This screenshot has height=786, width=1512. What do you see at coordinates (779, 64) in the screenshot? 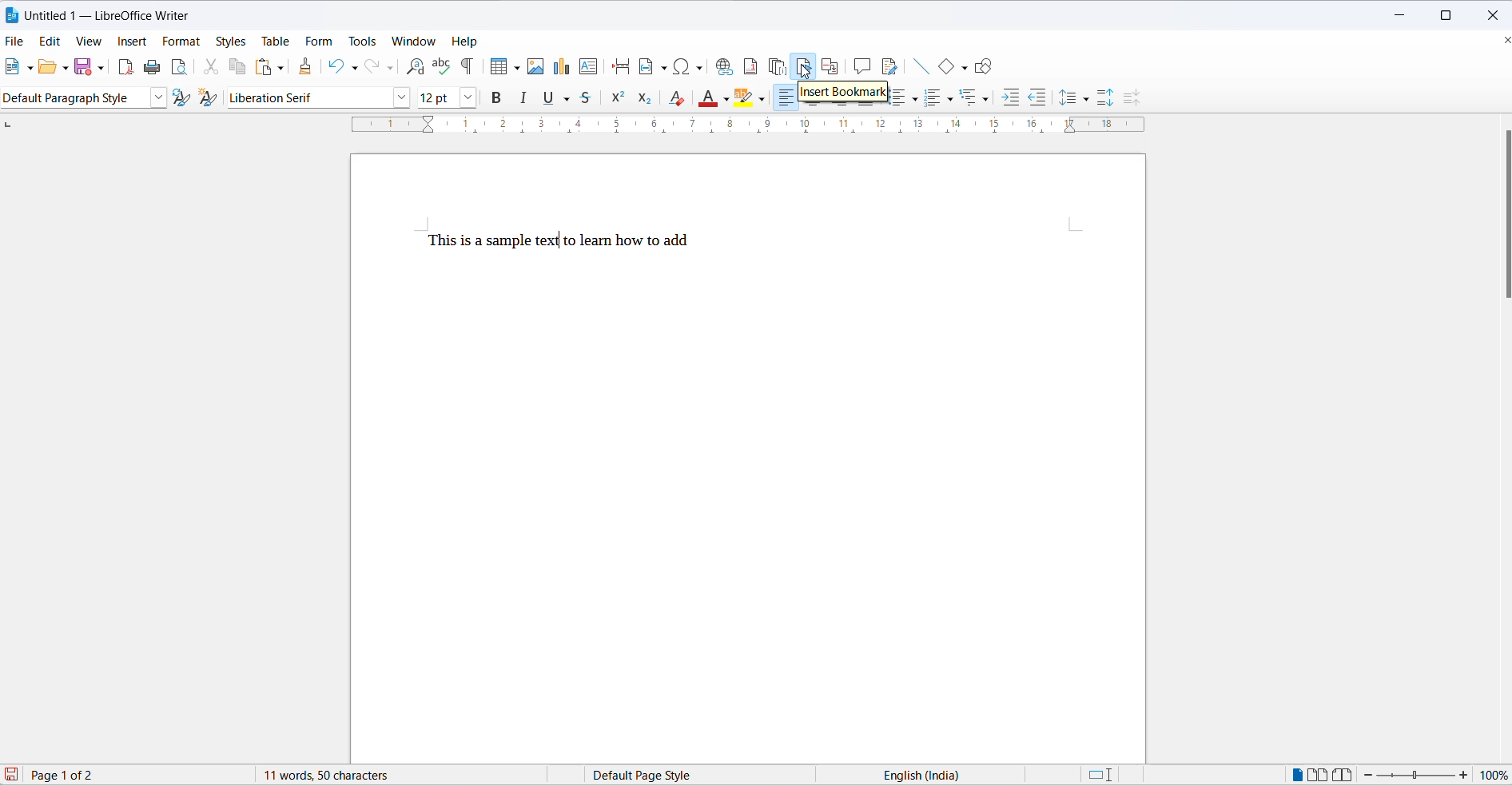
I see `insert endnote` at bounding box center [779, 64].